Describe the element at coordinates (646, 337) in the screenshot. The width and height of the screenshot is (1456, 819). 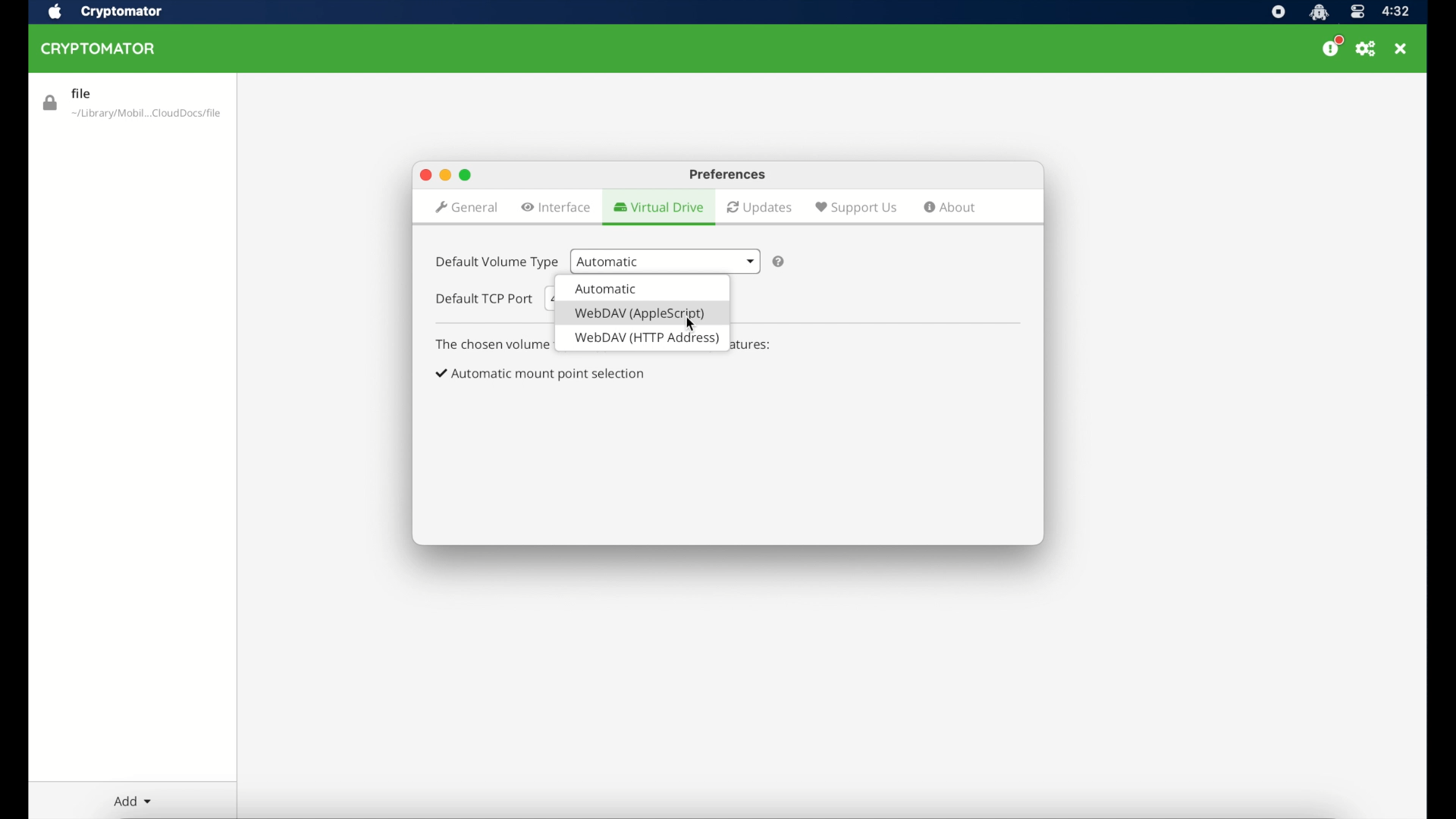
I see `volume type` at that location.